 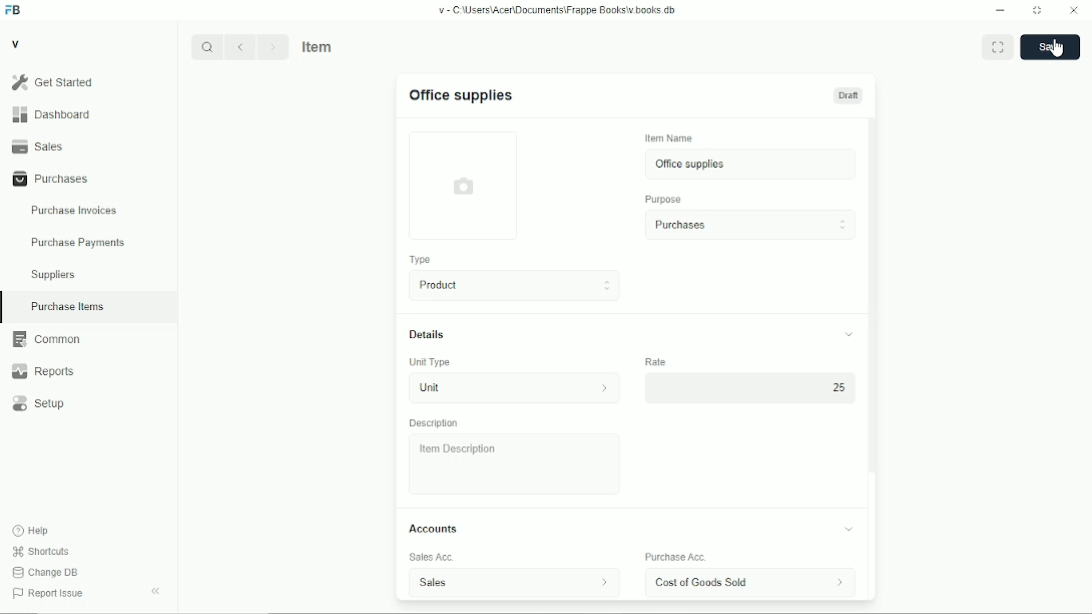 I want to click on office supplies, so click(x=752, y=164).